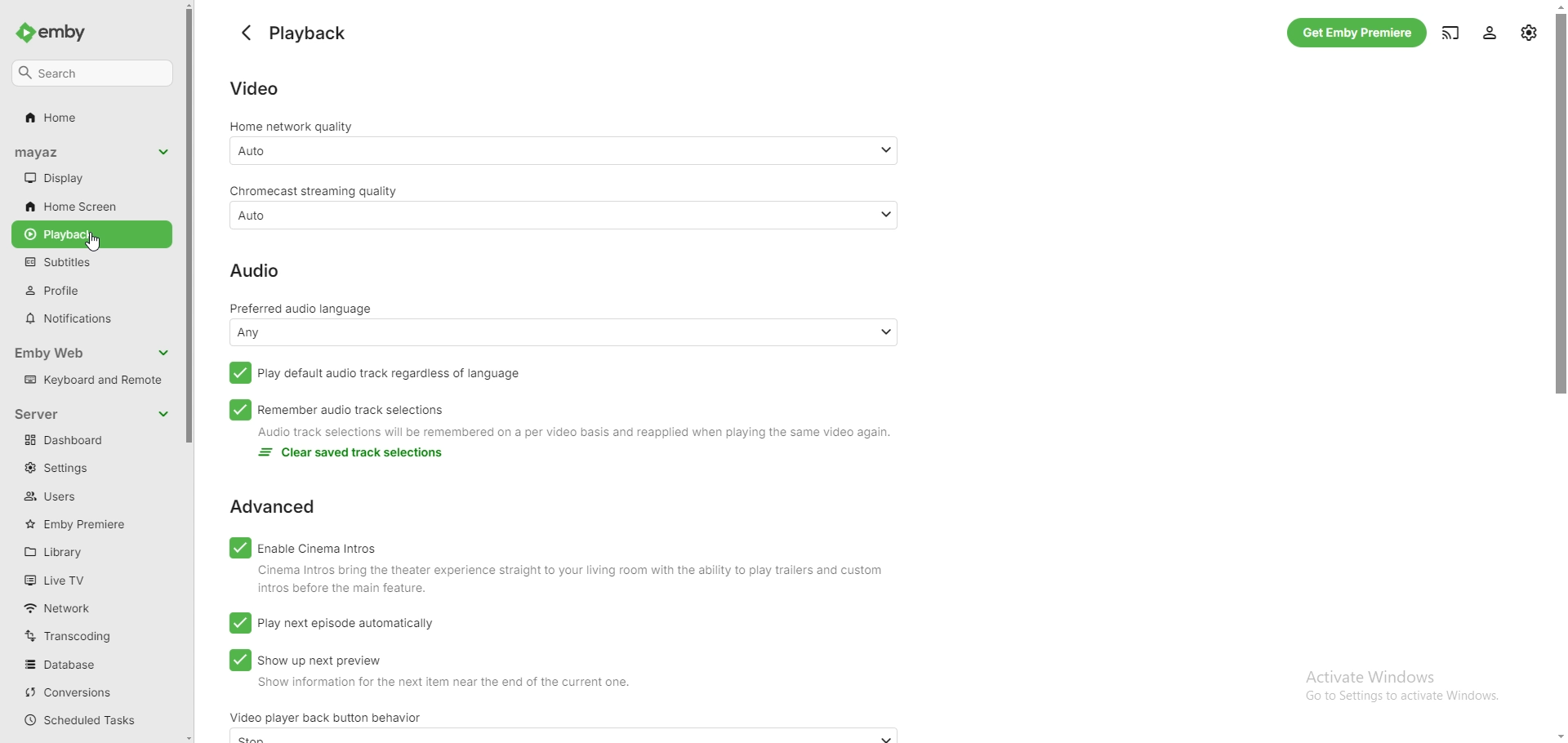 The height and width of the screenshot is (743, 1568). I want to click on playback, so click(313, 34).